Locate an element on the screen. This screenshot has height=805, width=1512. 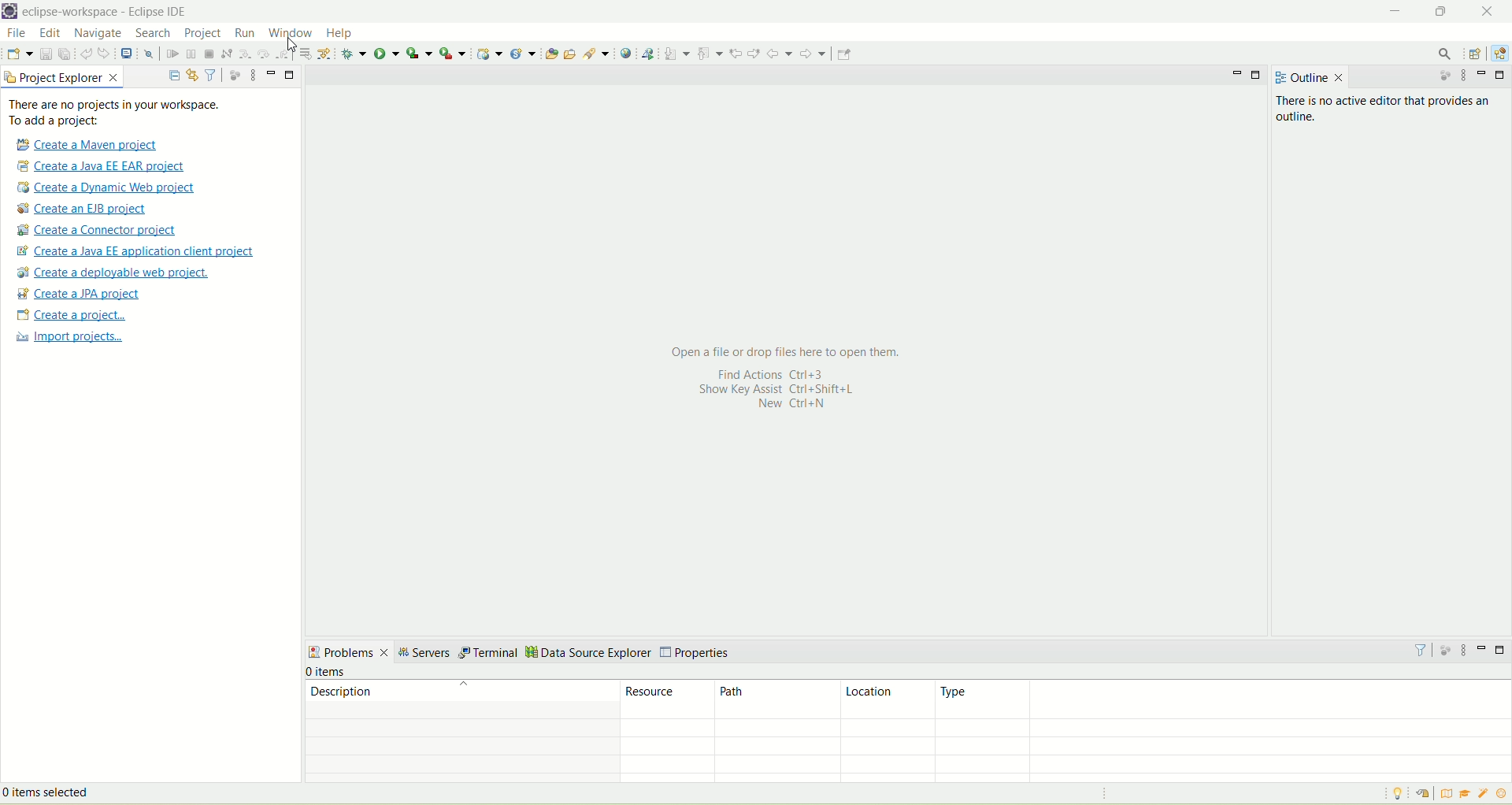
search is located at coordinates (150, 34).